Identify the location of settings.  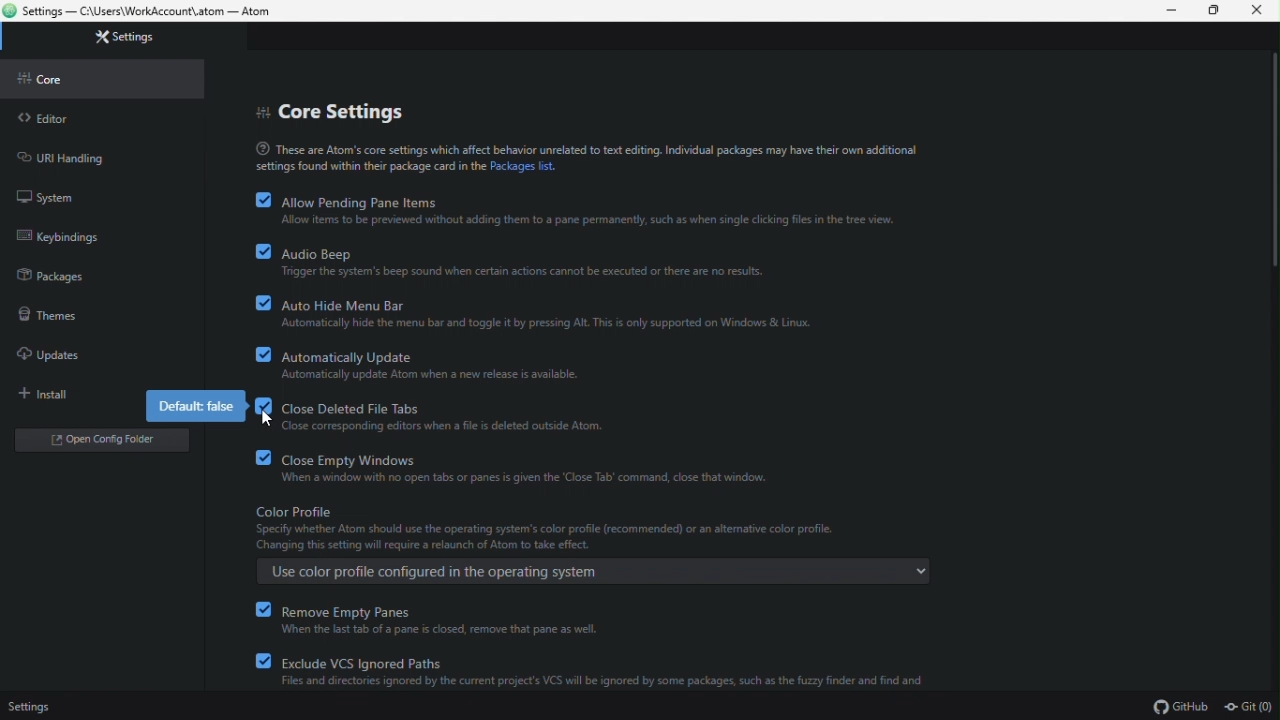
(124, 38).